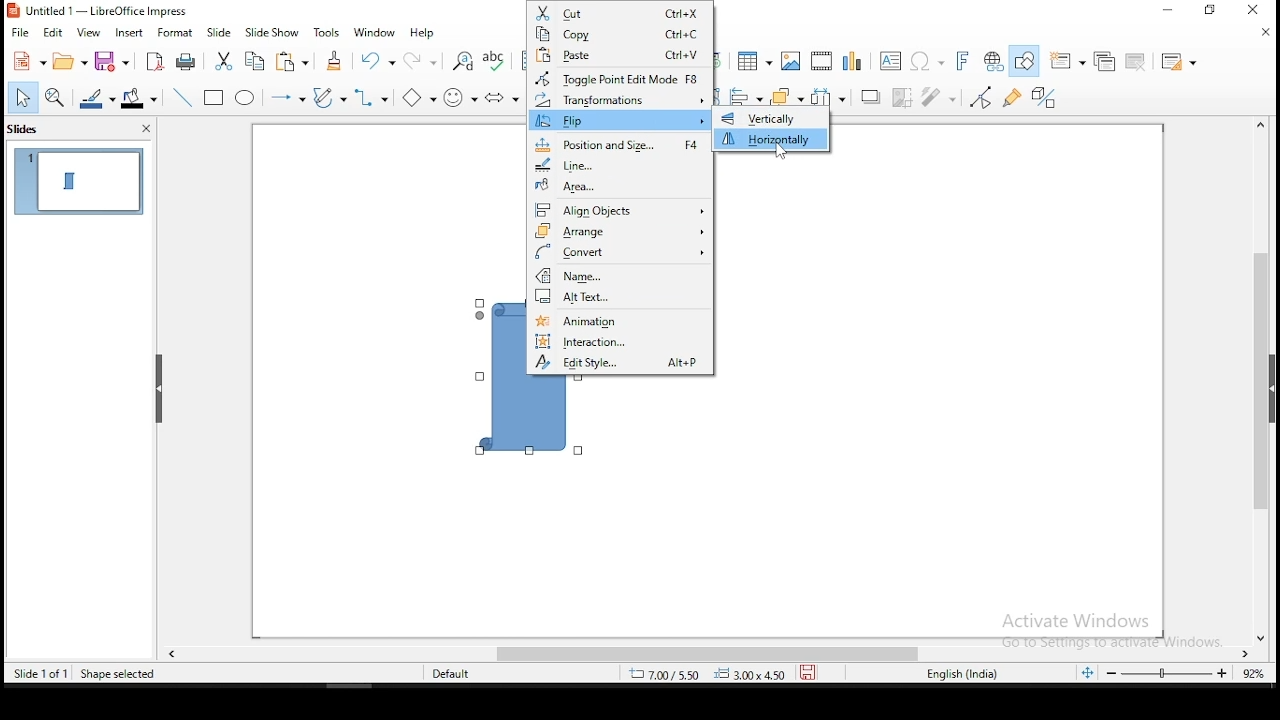 Image resolution: width=1280 pixels, height=720 pixels. Describe the element at coordinates (1045, 100) in the screenshot. I see `toggle extrusion` at that location.